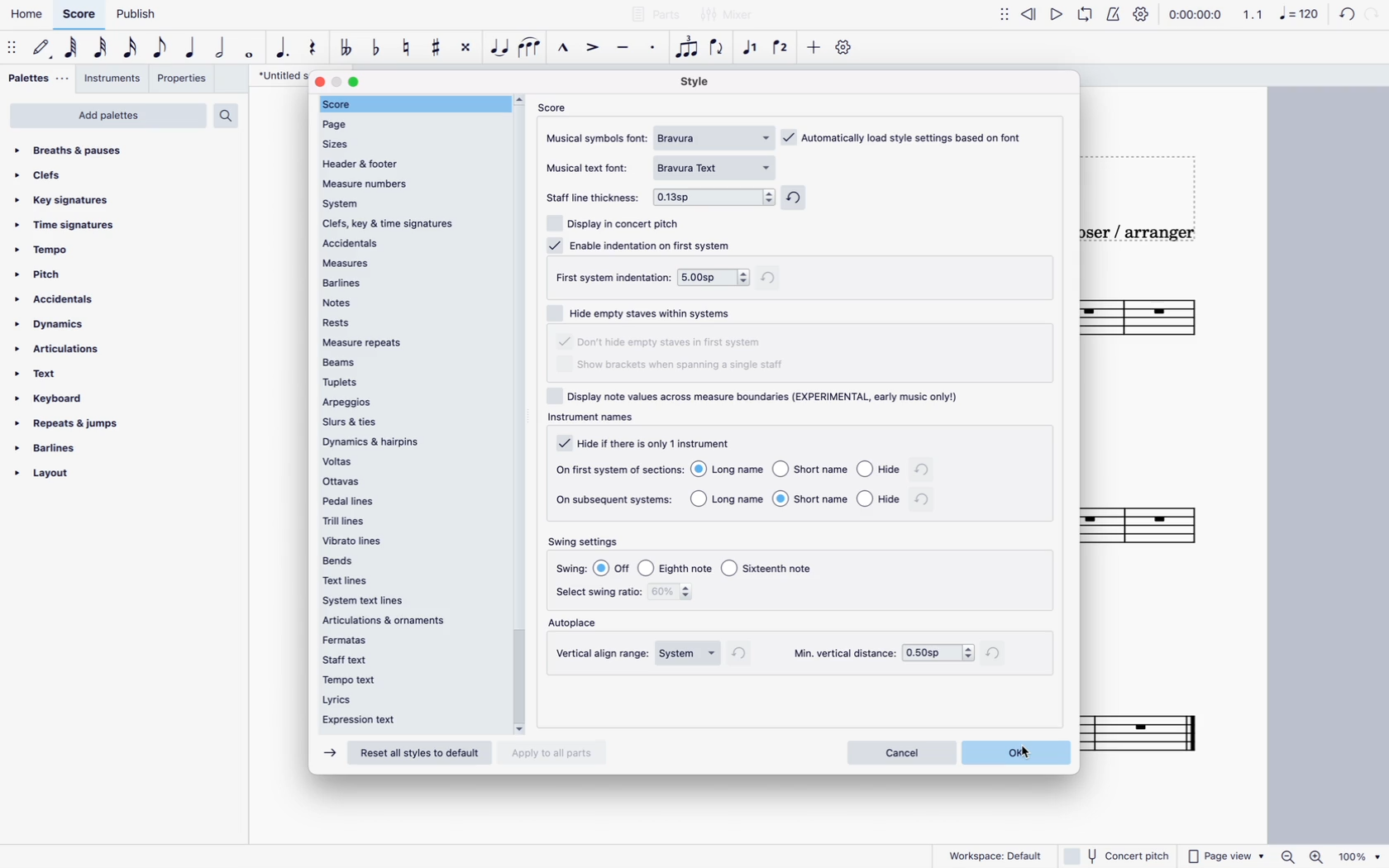 This screenshot has height=868, width=1389. Describe the element at coordinates (639, 244) in the screenshot. I see `enable identation on the fire system` at that location.